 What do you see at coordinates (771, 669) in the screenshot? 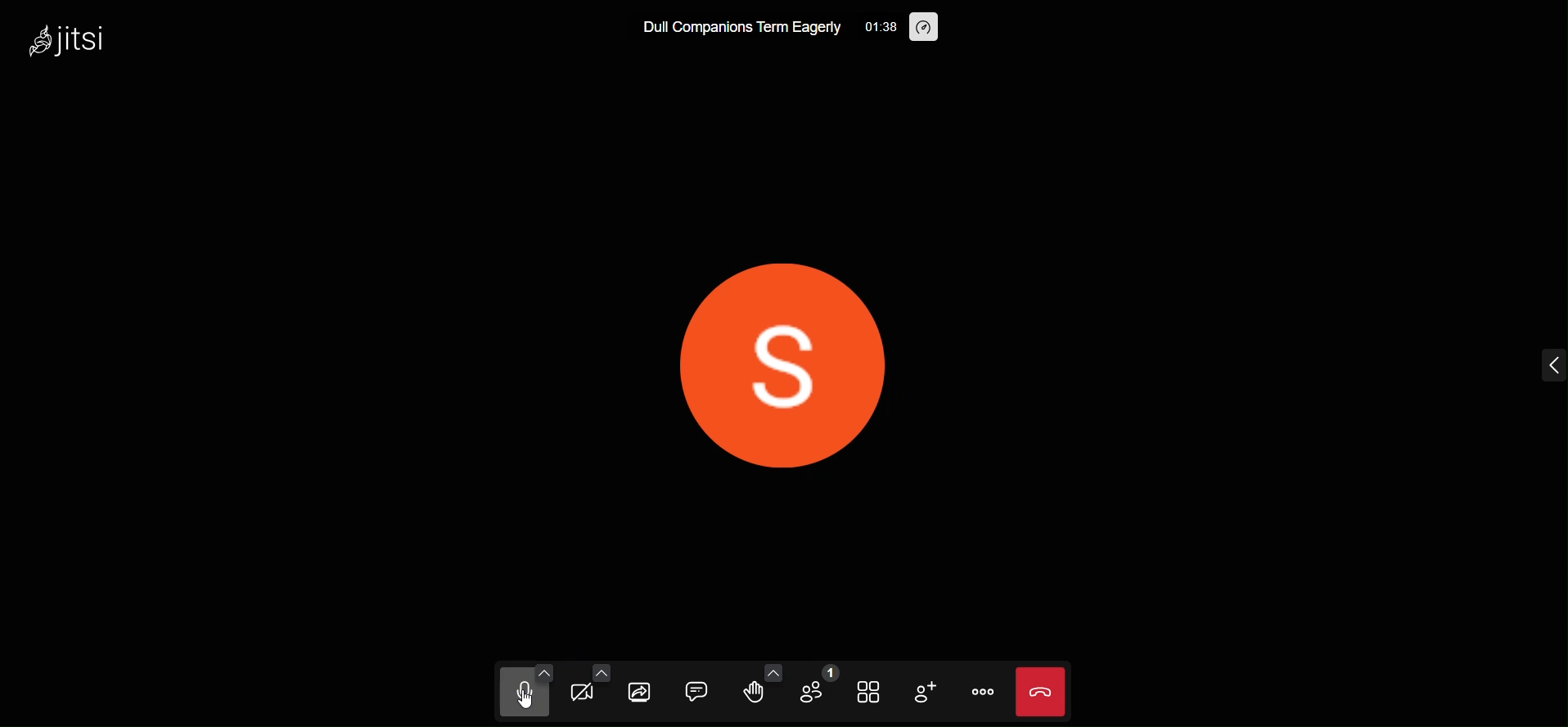
I see `more emoji` at bounding box center [771, 669].